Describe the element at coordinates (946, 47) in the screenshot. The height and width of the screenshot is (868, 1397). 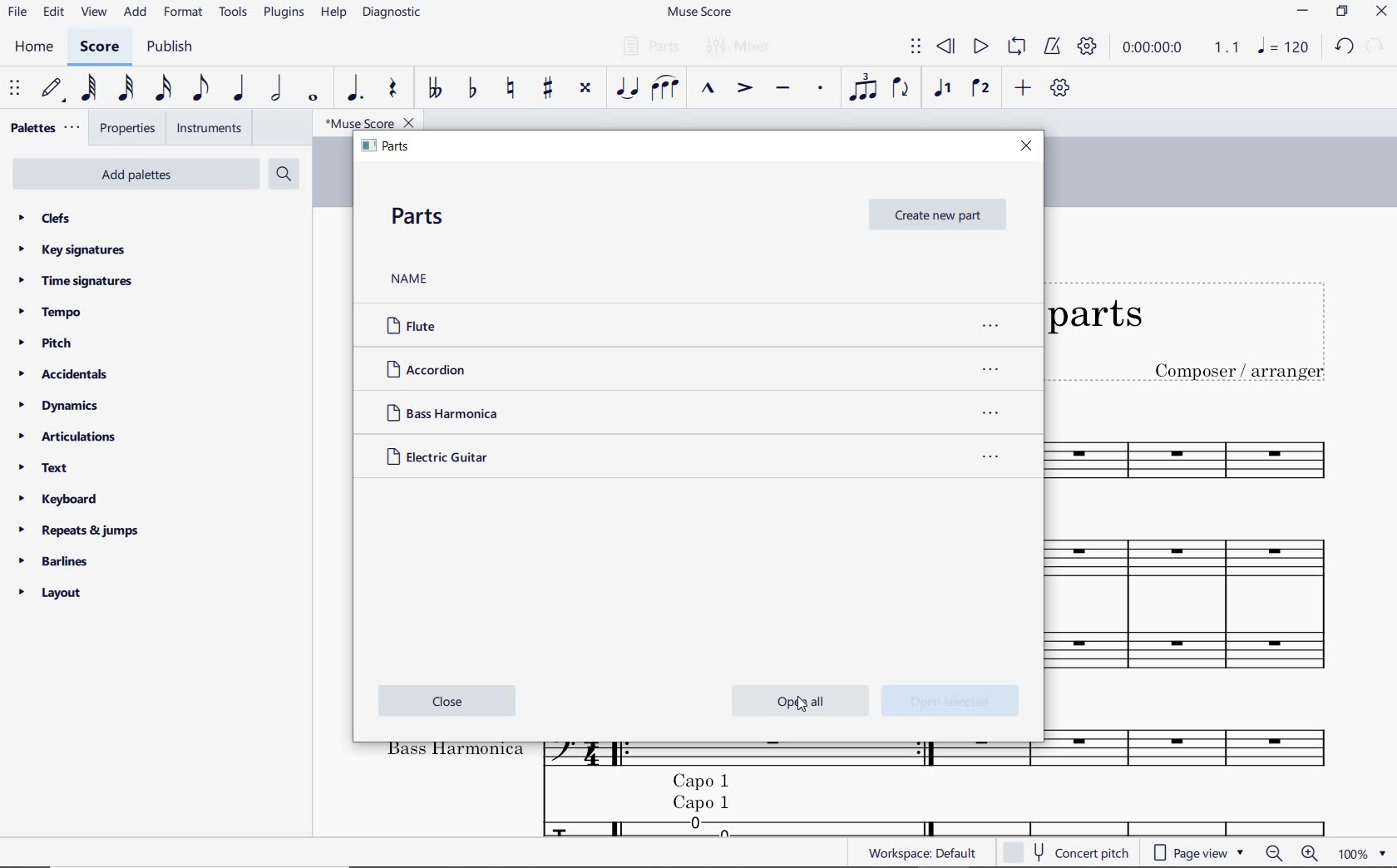
I see `rewind` at that location.